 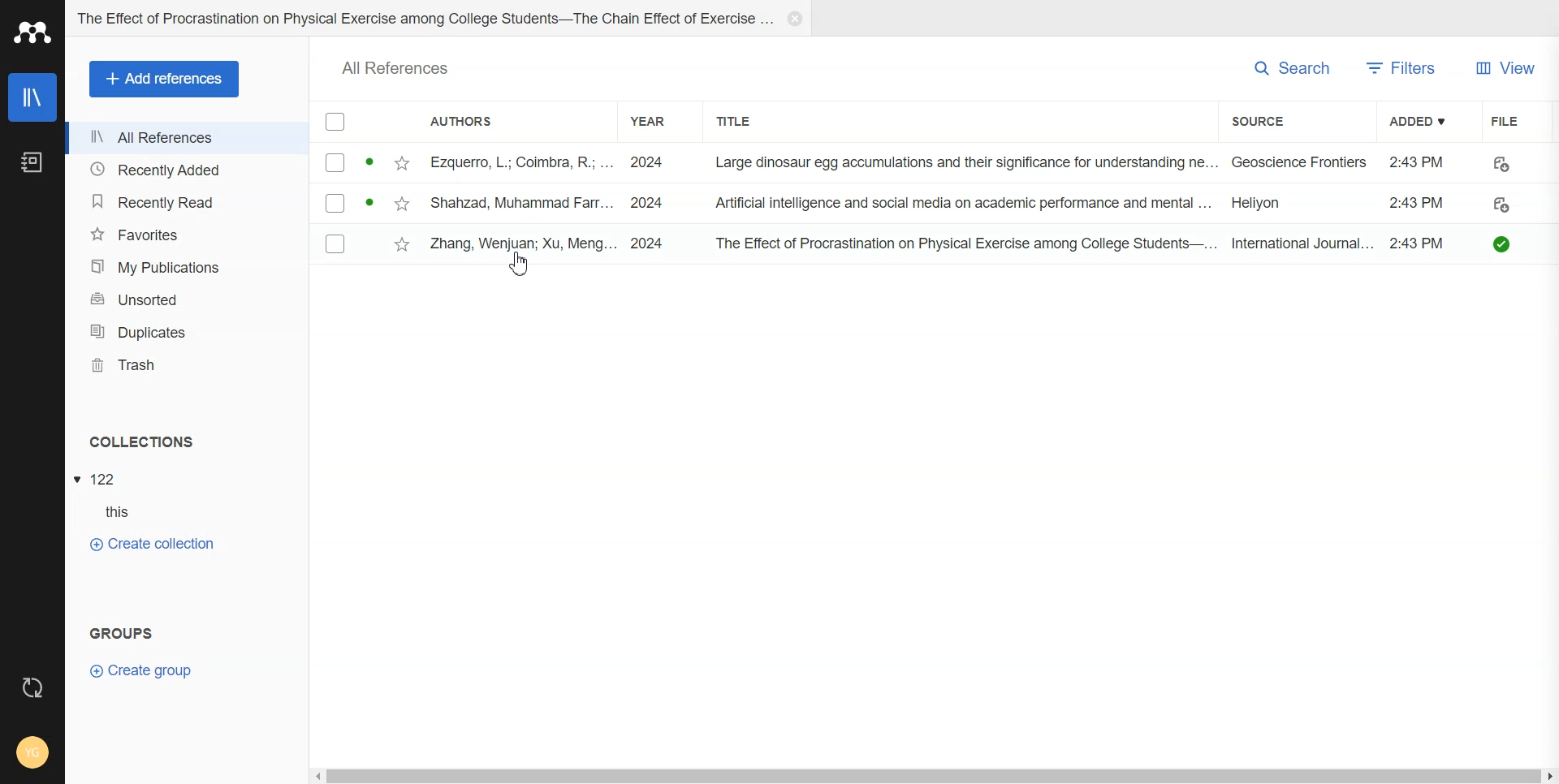 What do you see at coordinates (1501, 203) in the screenshot?
I see `Draft` at bounding box center [1501, 203].